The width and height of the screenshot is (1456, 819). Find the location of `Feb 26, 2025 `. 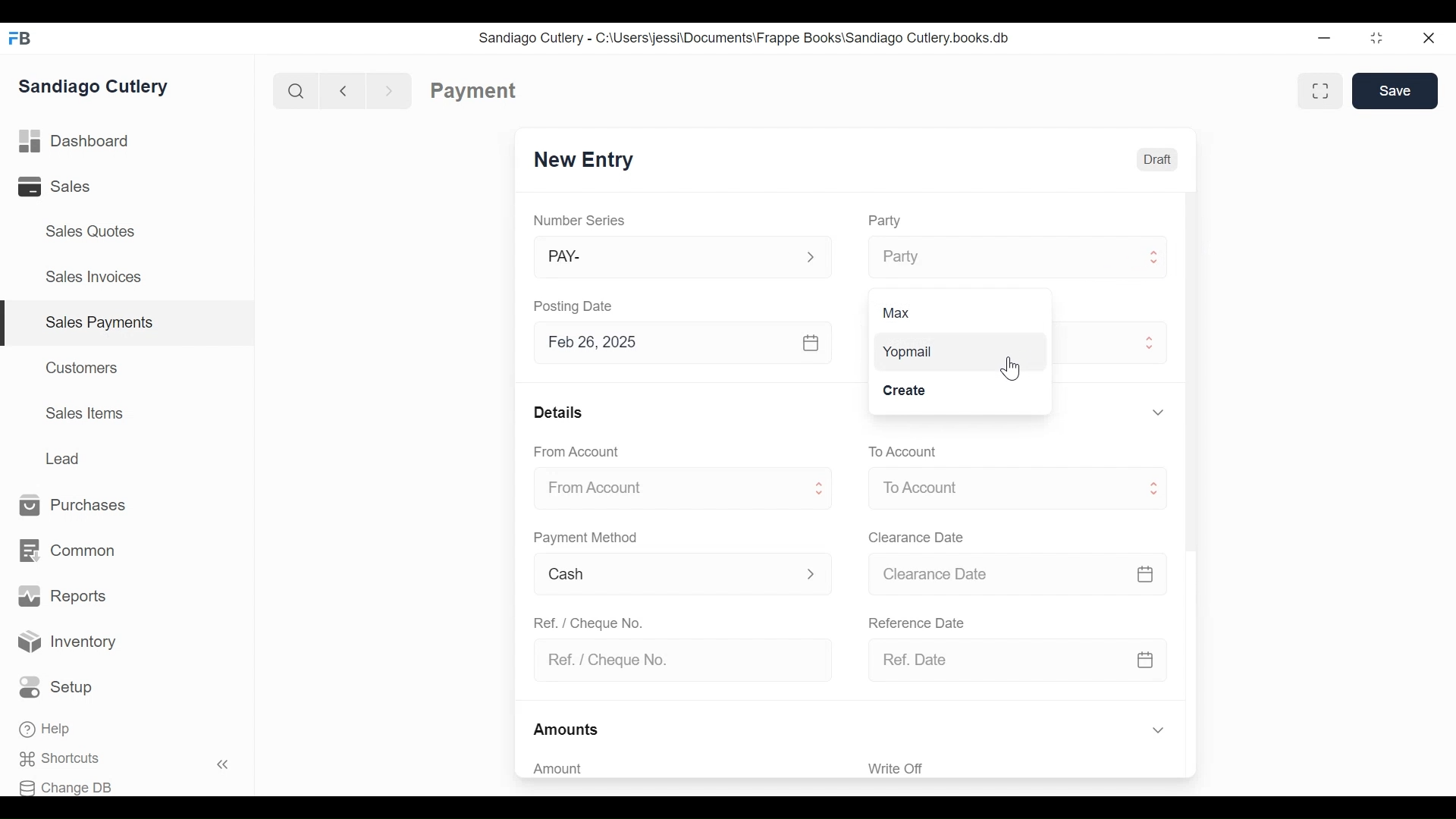

Feb 26, 2025  is located at coordinates (663, 343).